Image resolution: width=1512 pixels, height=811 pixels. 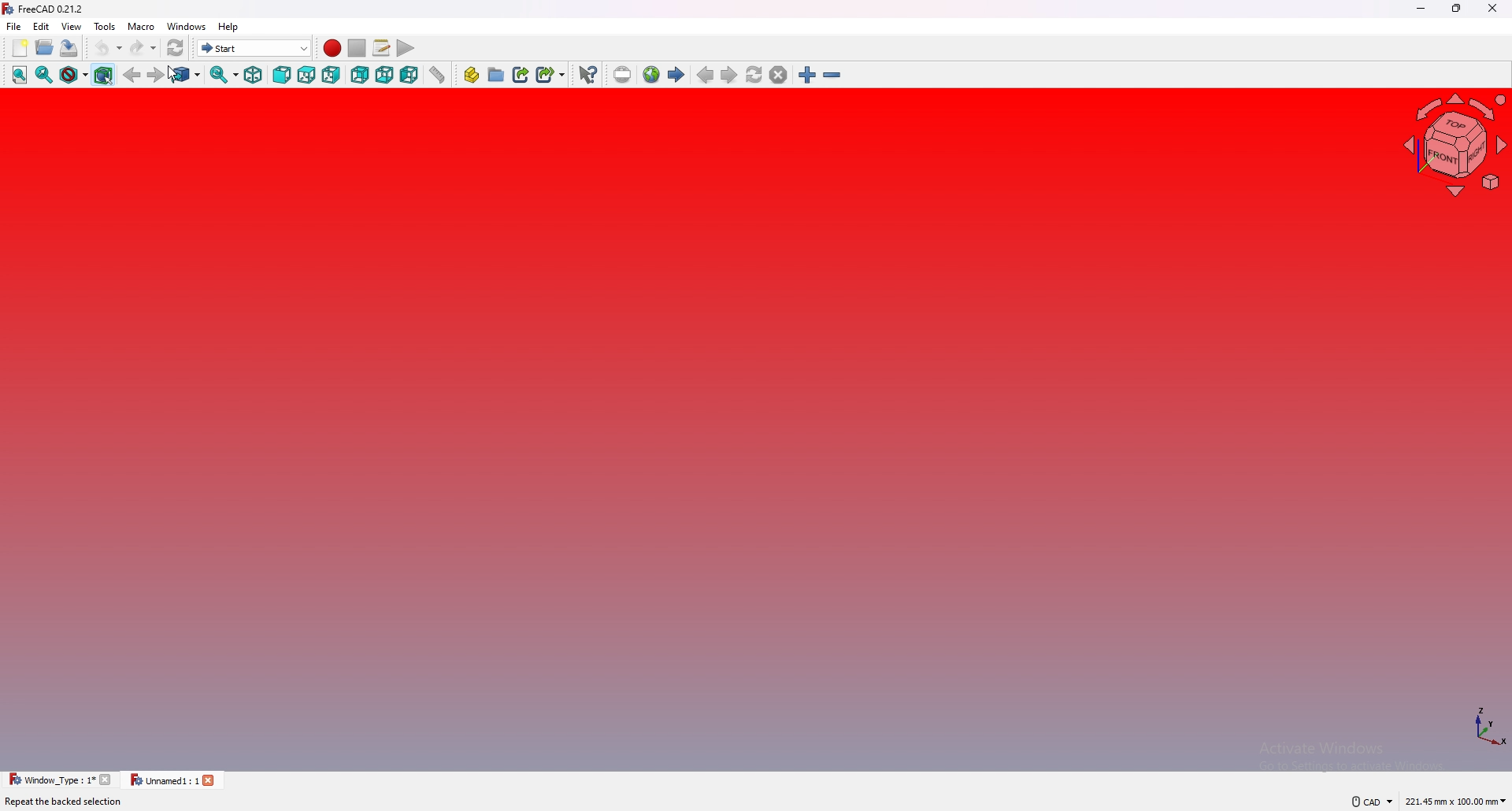 I want to click on create link, so click(x=521, y=74).